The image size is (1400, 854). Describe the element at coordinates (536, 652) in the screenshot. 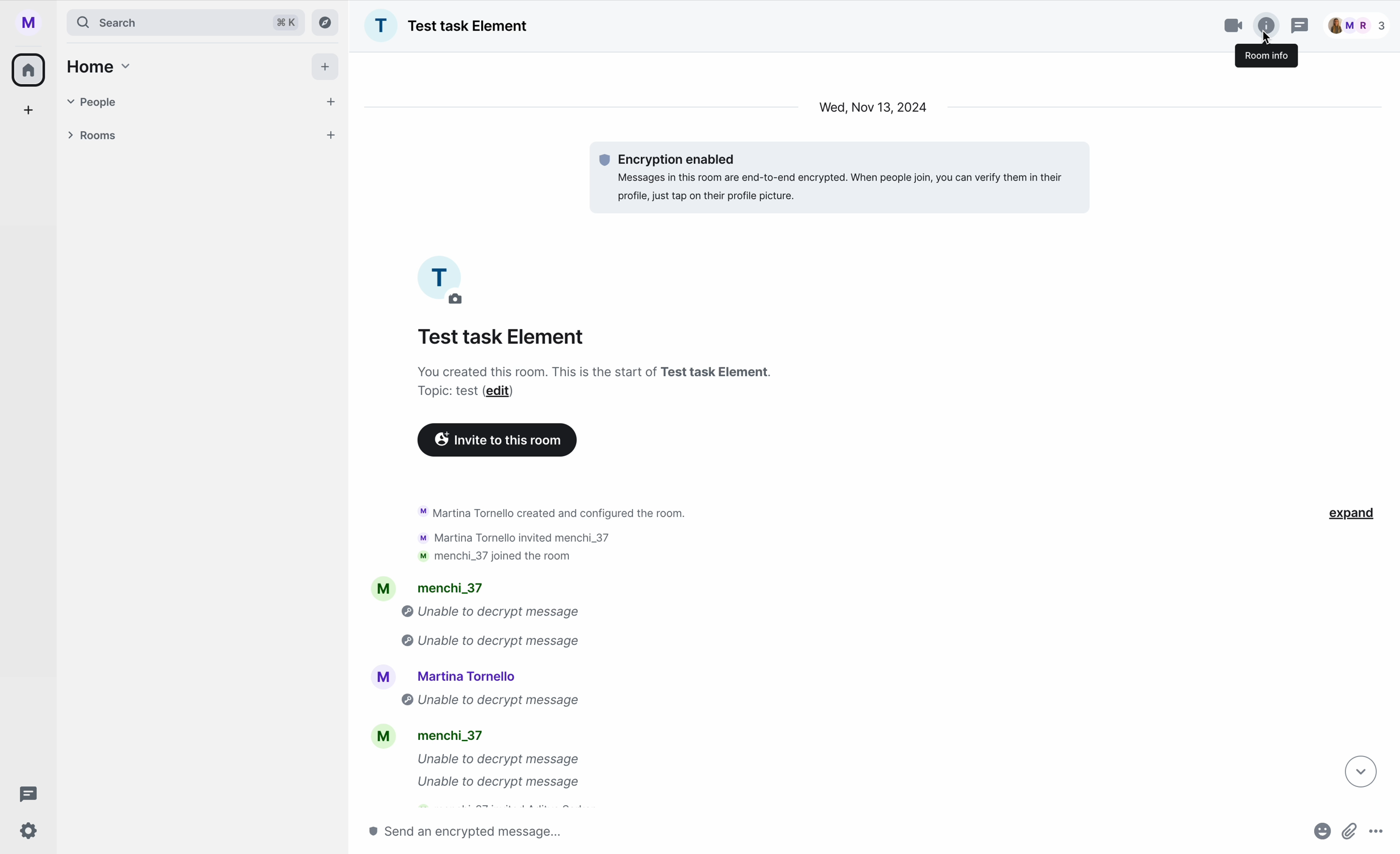

I see `activity chat` at that location.